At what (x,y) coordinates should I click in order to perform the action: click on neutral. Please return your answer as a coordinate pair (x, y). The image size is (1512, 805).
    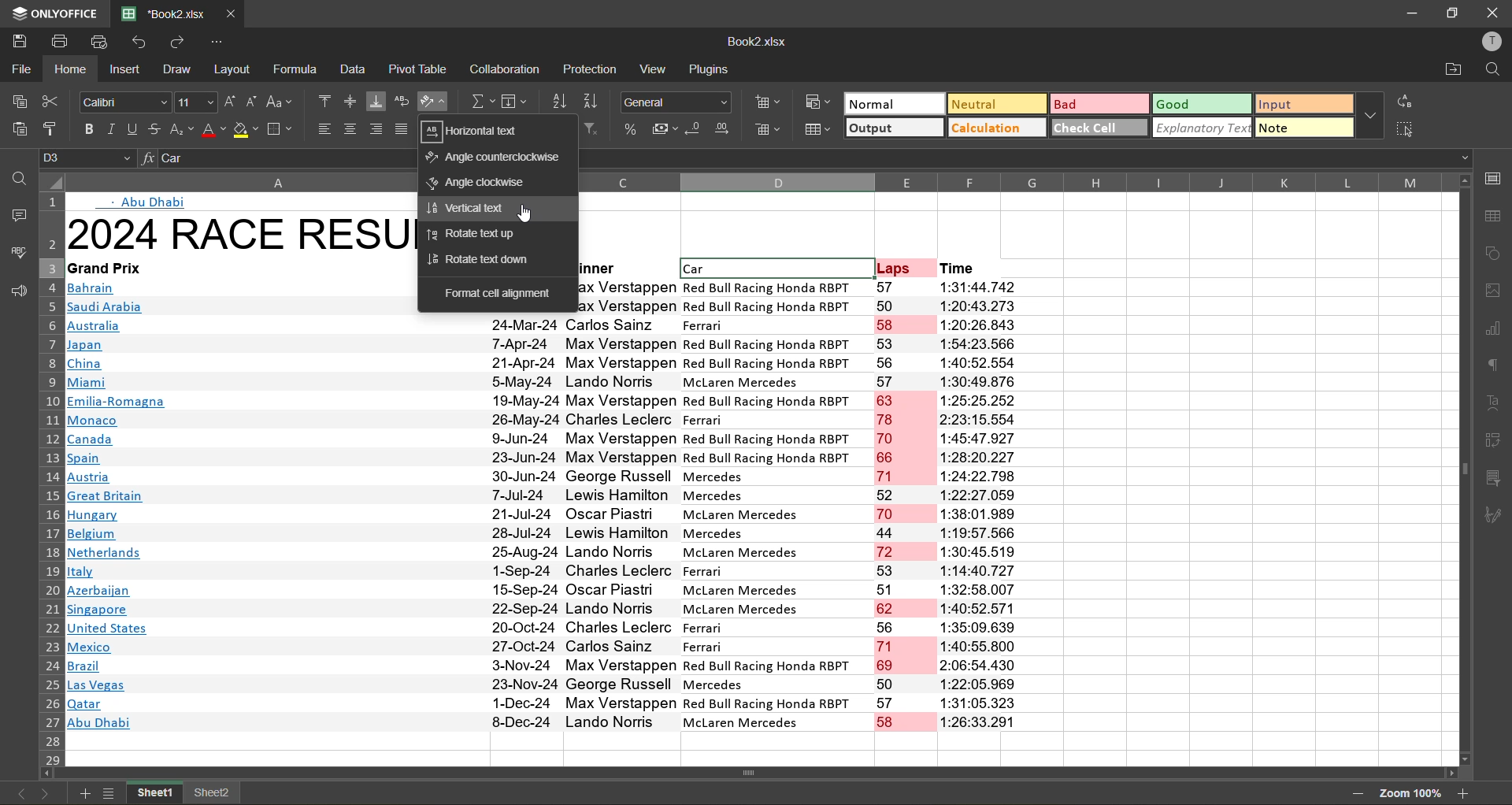
    Looking at the image, I should click on (997, 105).